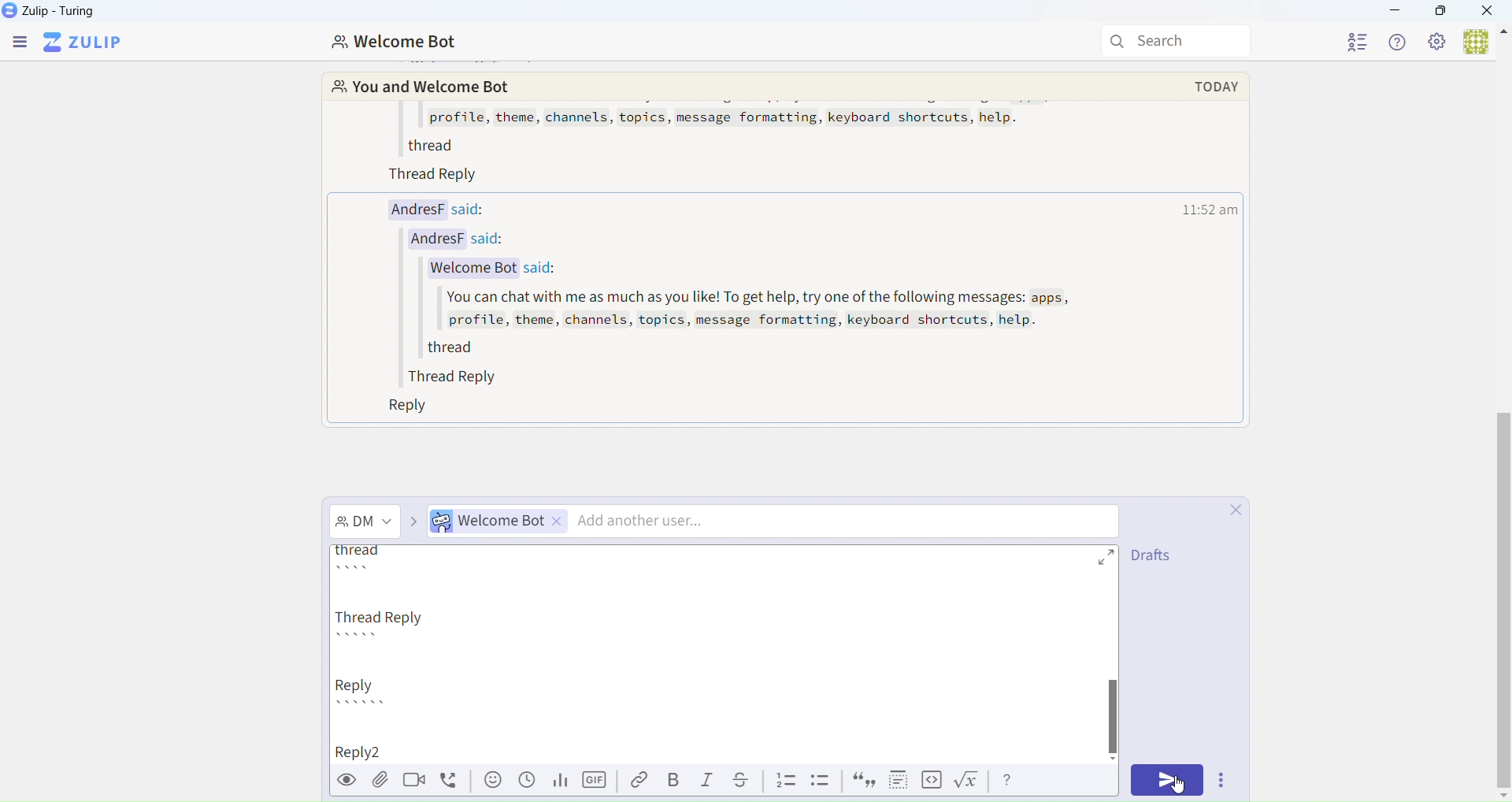 The width and height of the screenshot is (1512, 802). What do you see at coordinates (417, 88) in the screenshot?
I see ` You and Welcome Bot` at bounding box center [417, 88].